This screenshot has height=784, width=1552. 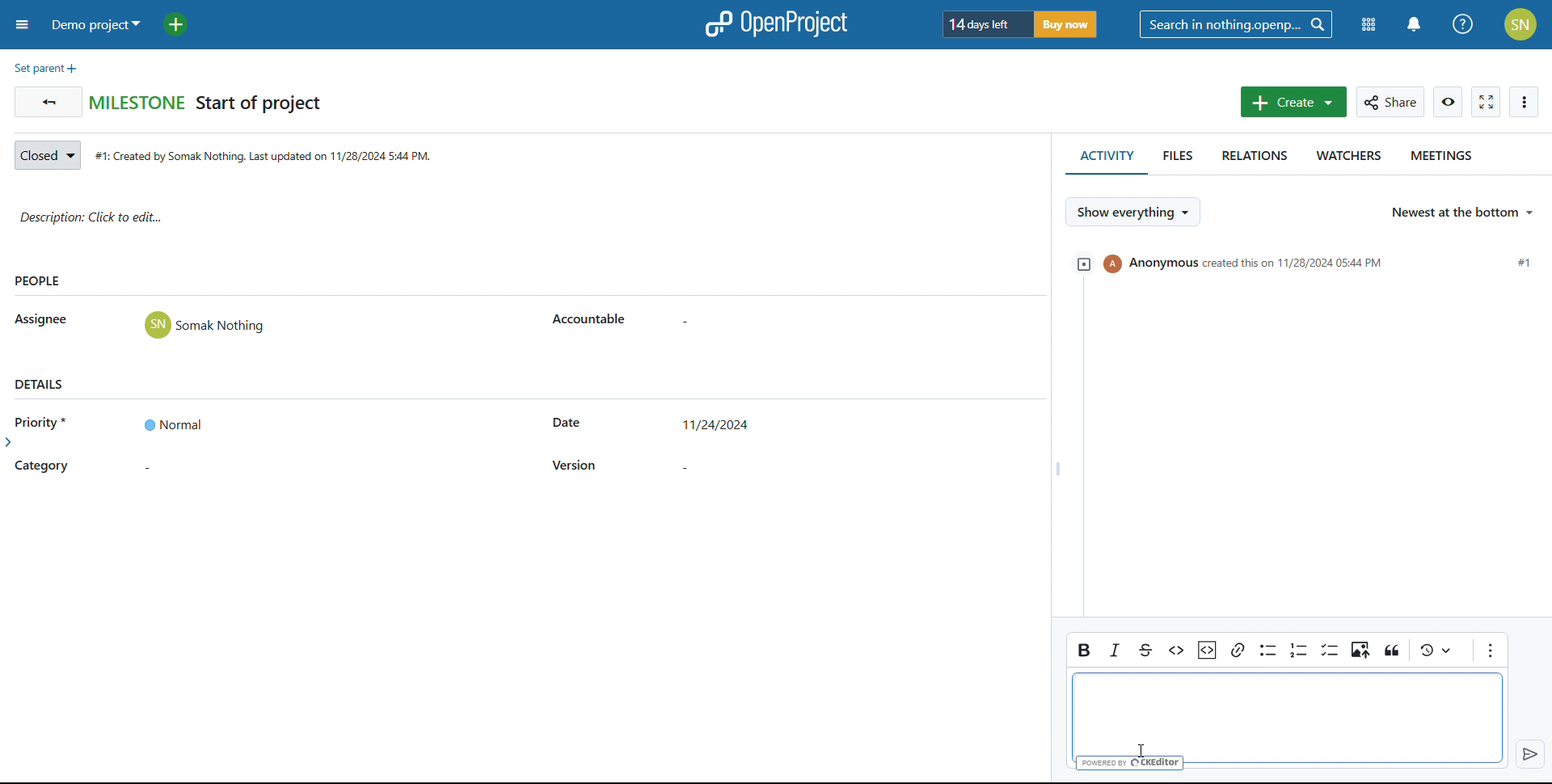 What do you see at coordinates (1462, 24) in the screenshot?
I see `help` at bounding box center [1462, 24].